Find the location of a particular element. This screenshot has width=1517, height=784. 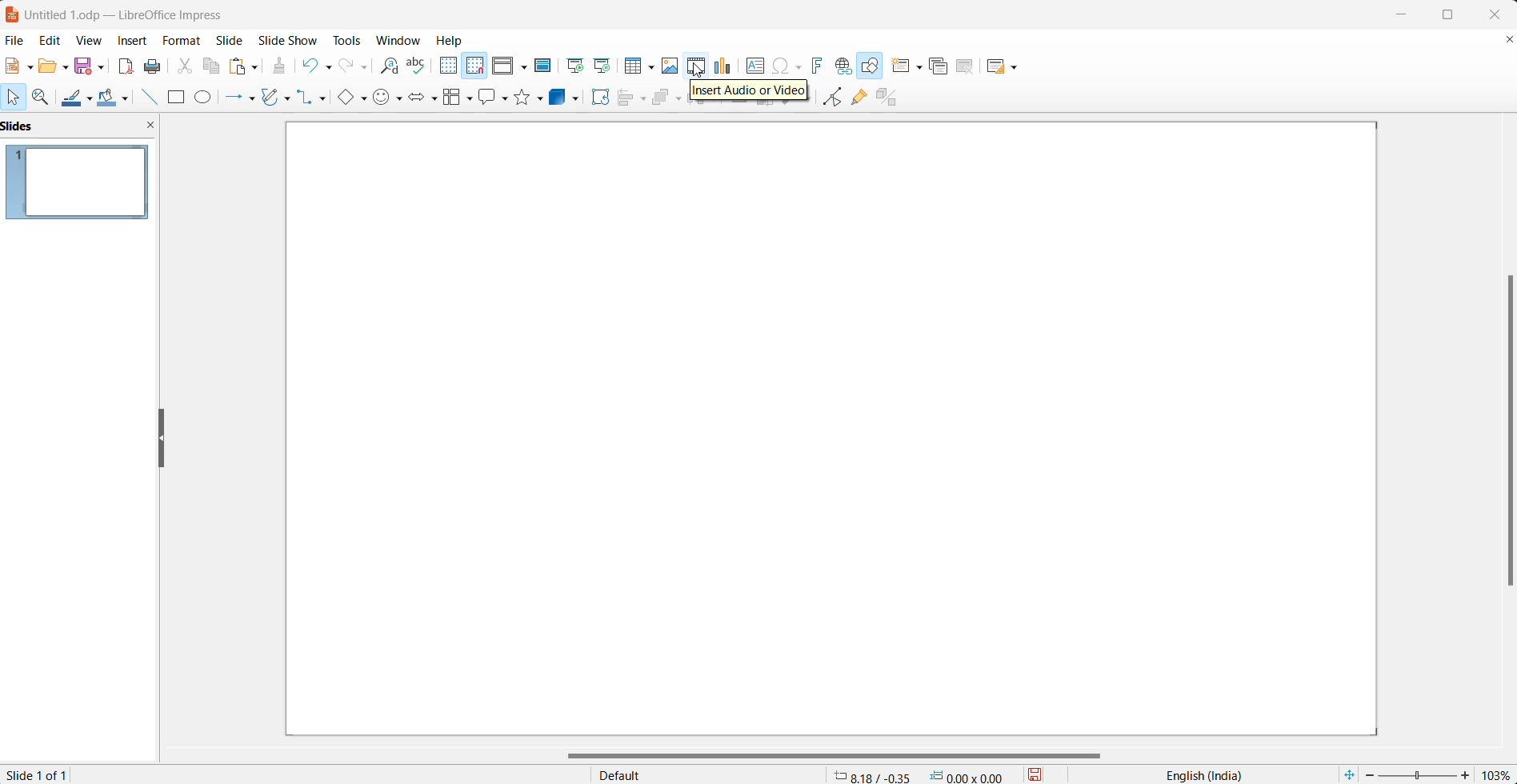

show draw functions is located at coordinates (872, 66).